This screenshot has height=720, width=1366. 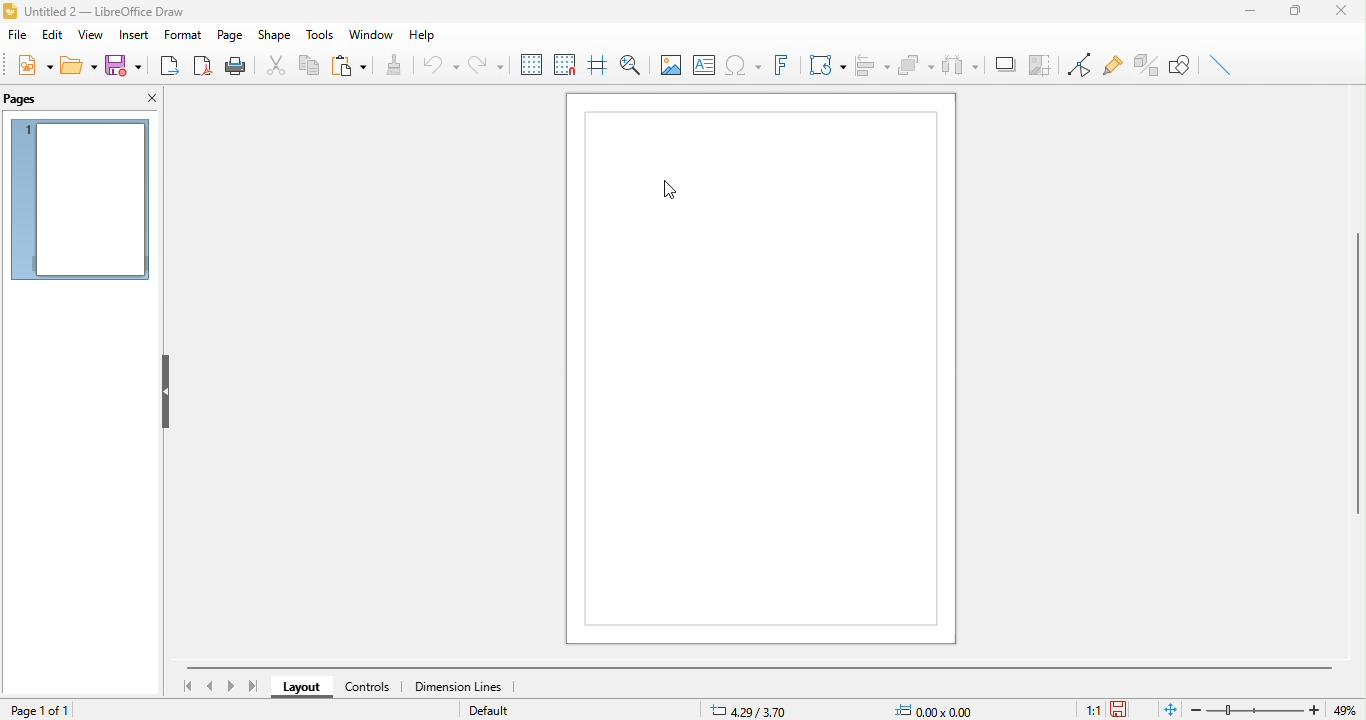 What do you see at coordinates (276, 67) in the screenshot?
I see `cut` at bounding box center [276, 67].